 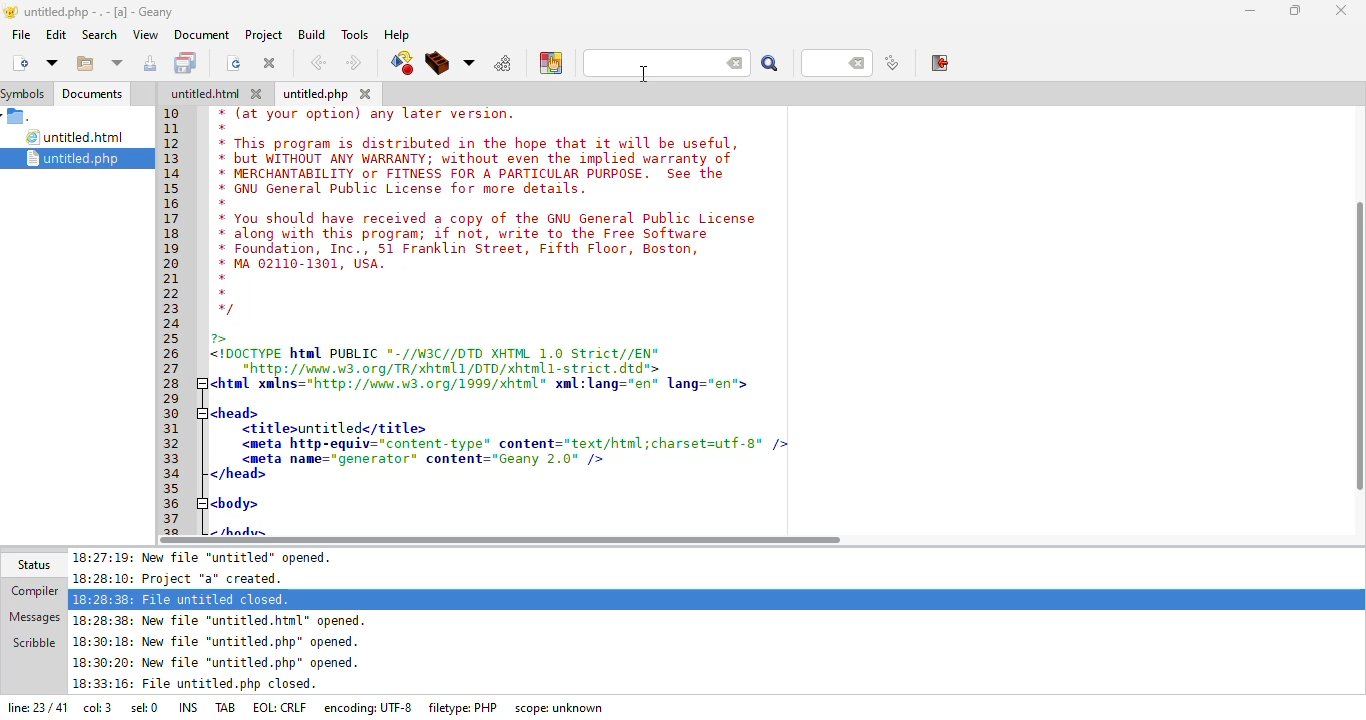 What do you see at coordinates (33, 641) in the screenshot?
I see `scribble` at bounding box center [33, 641].